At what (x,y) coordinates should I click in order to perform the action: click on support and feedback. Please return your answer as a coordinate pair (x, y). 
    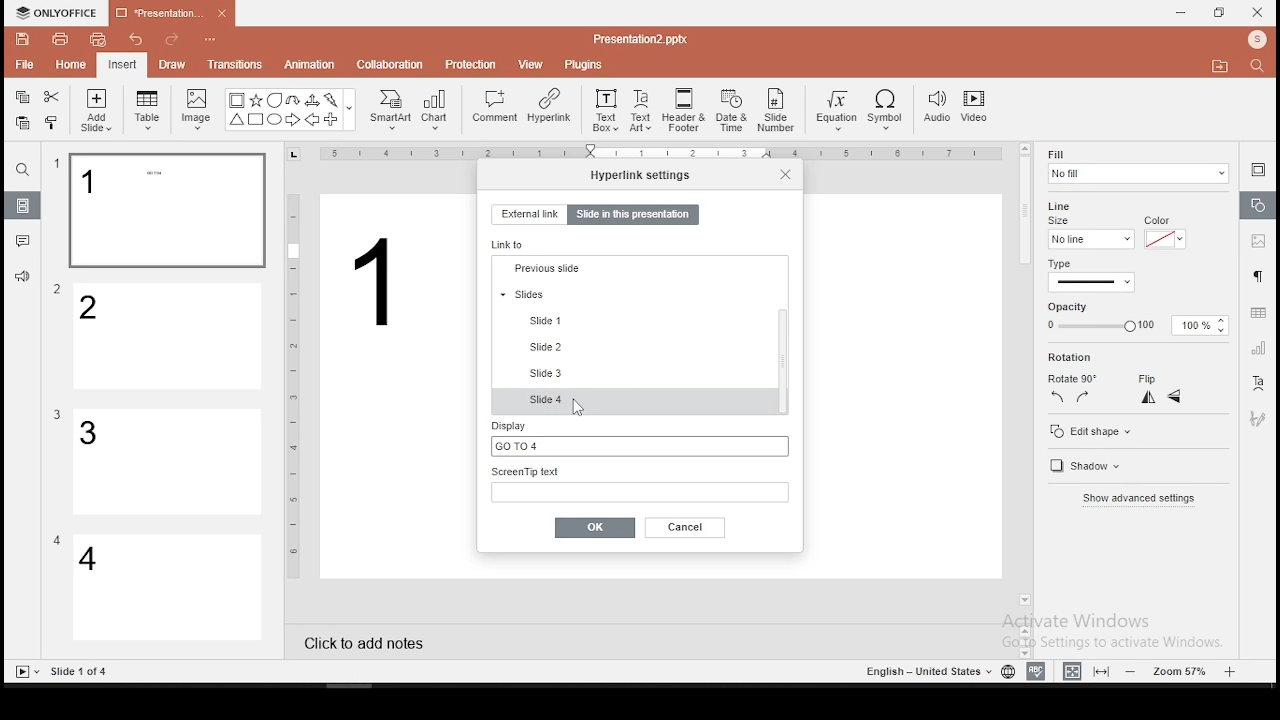
    Looking at the image, I should click on (22, 279).